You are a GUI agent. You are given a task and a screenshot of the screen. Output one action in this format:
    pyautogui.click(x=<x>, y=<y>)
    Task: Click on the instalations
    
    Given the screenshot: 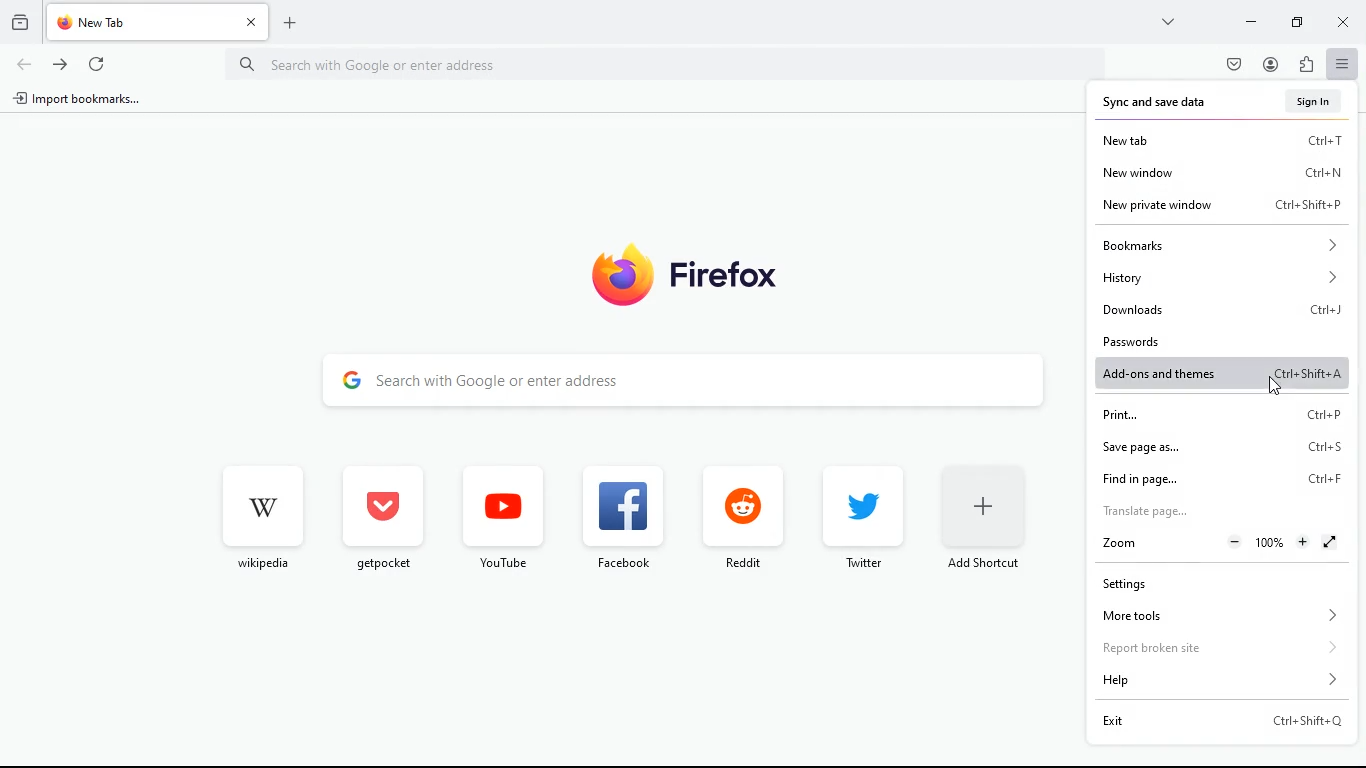 What is the action you would take?
    pyautogui.click(x=1306, y=66)
    